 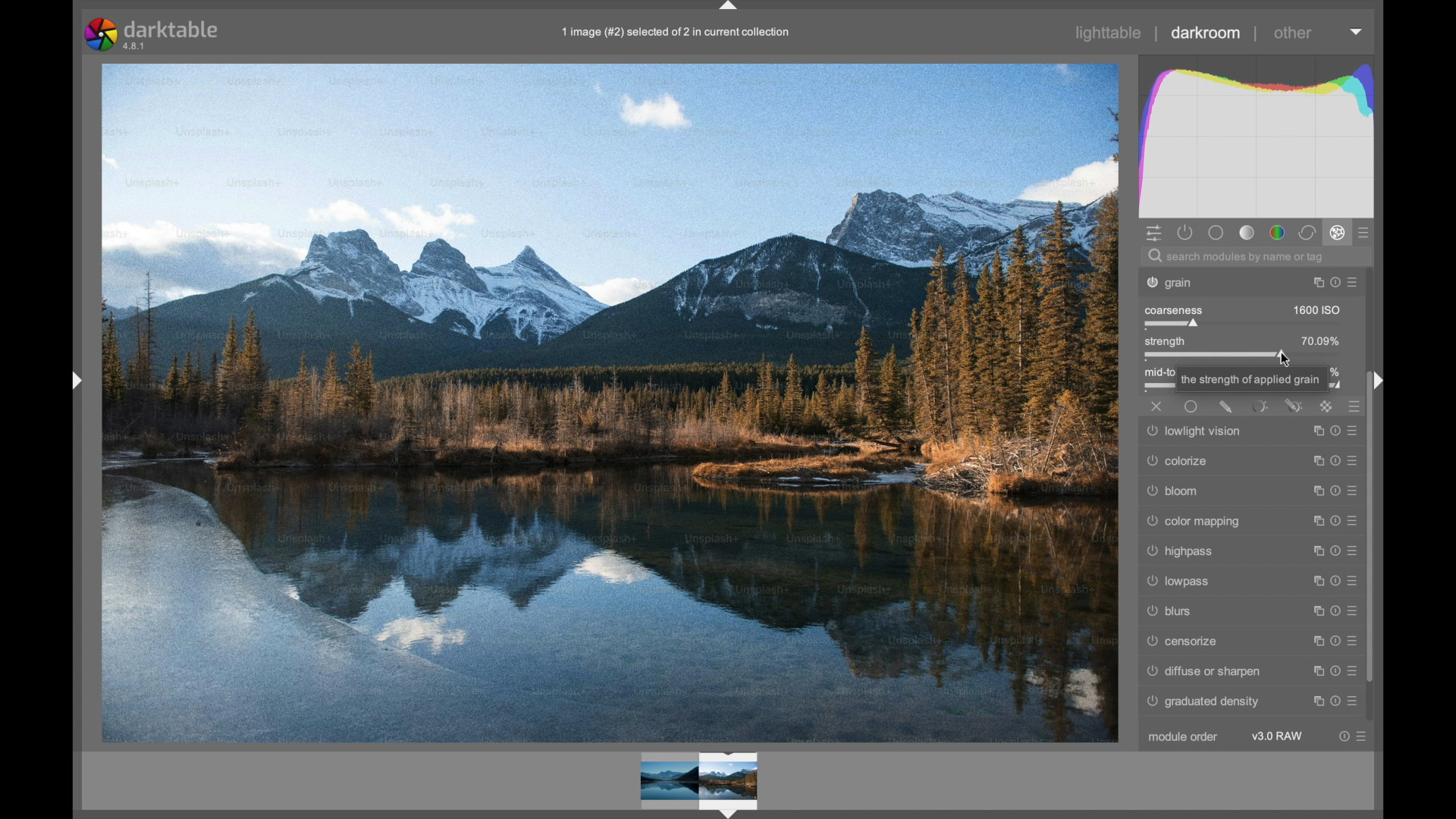 I want to click on photo preview, so click(x=611, y=402).